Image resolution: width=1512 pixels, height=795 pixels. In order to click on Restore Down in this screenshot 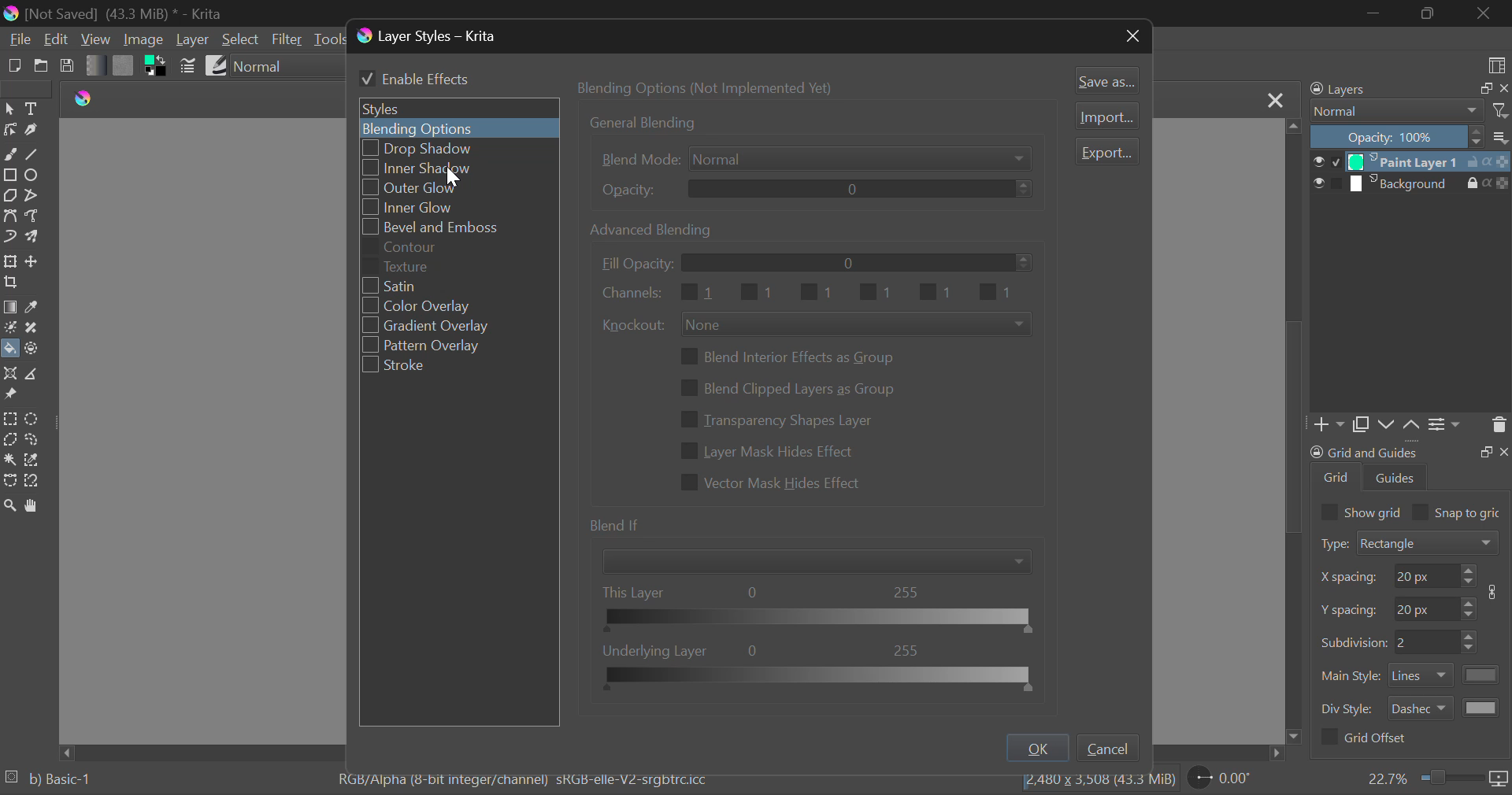, I will do `click(1375, 13)`.